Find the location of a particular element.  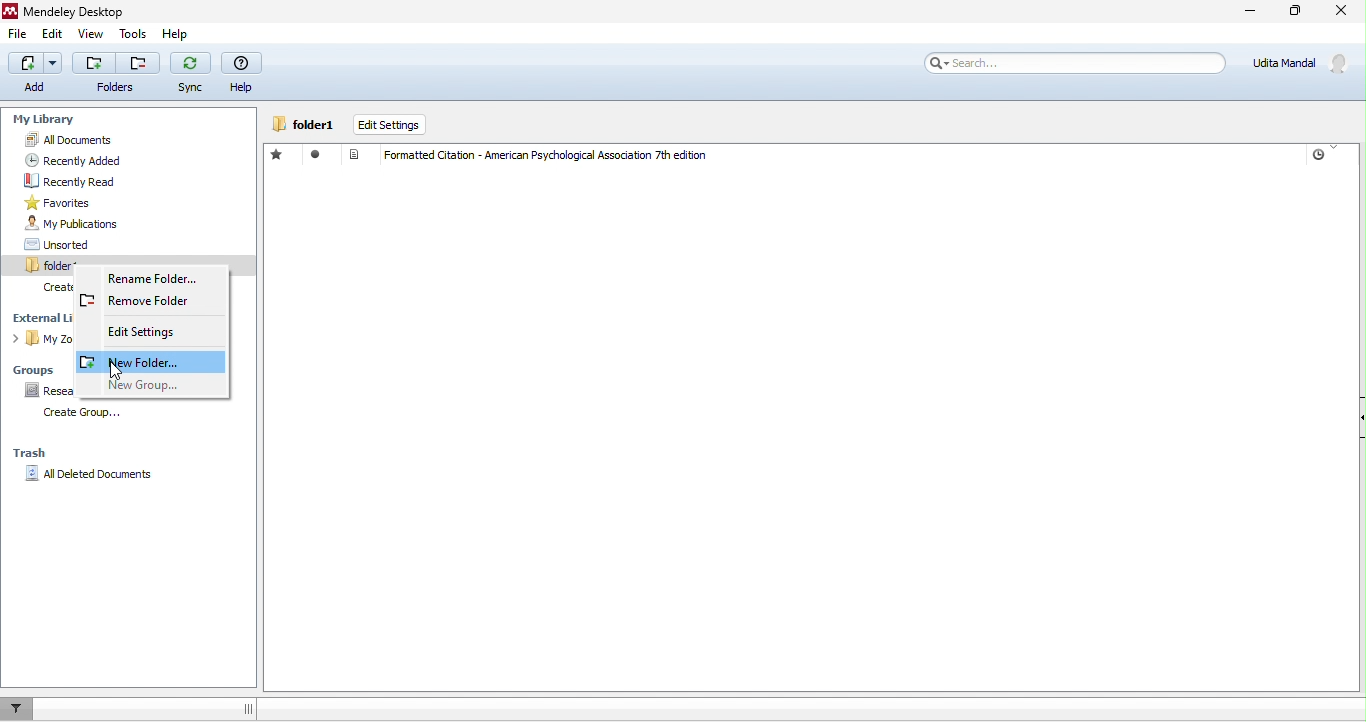

unsorted is located at coordinates (69, 244).